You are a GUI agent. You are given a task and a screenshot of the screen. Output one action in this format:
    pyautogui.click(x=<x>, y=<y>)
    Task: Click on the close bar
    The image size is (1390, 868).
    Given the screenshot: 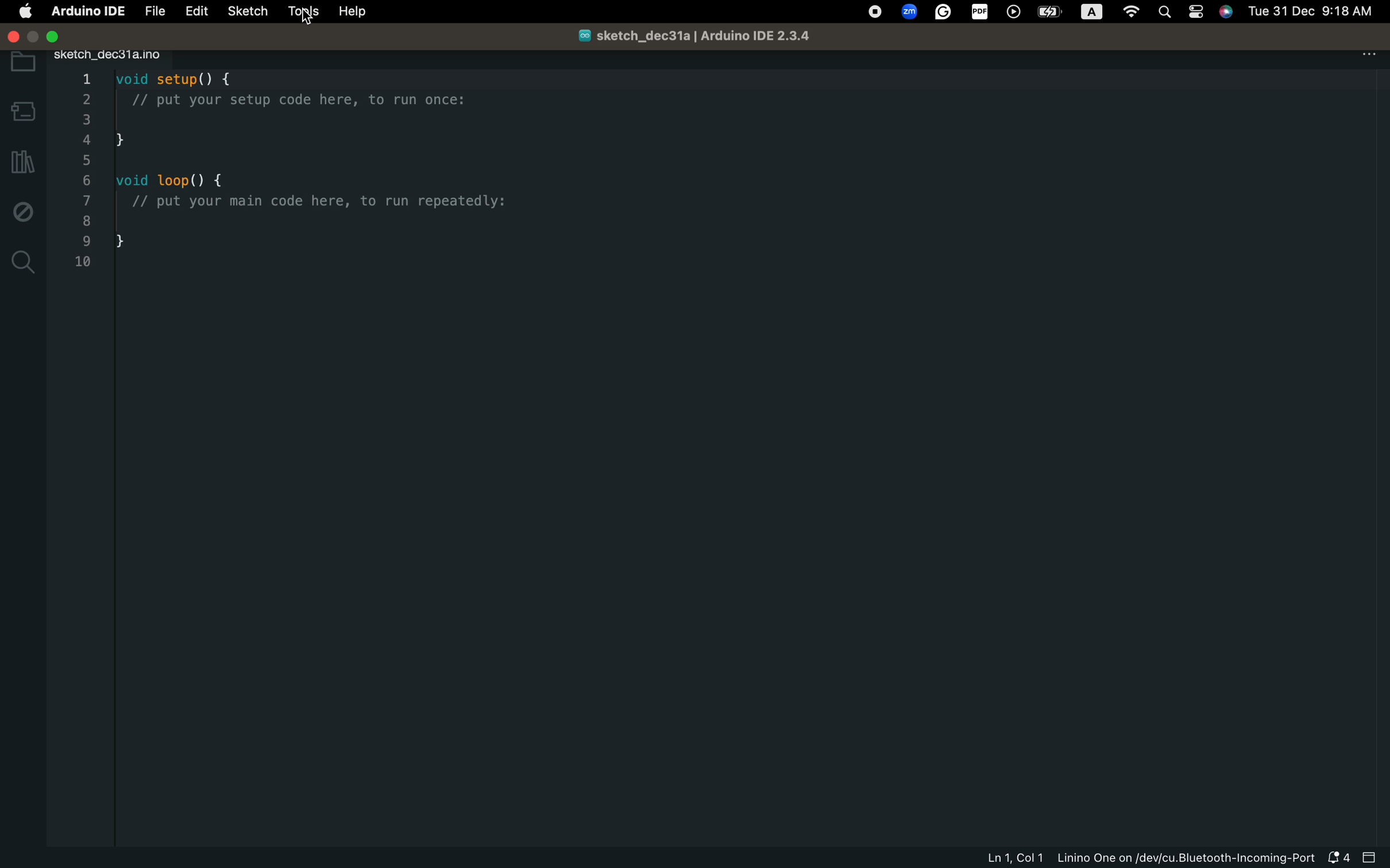 What is the action you would take?
    pyautogui.click(x=1371, y=858)
    